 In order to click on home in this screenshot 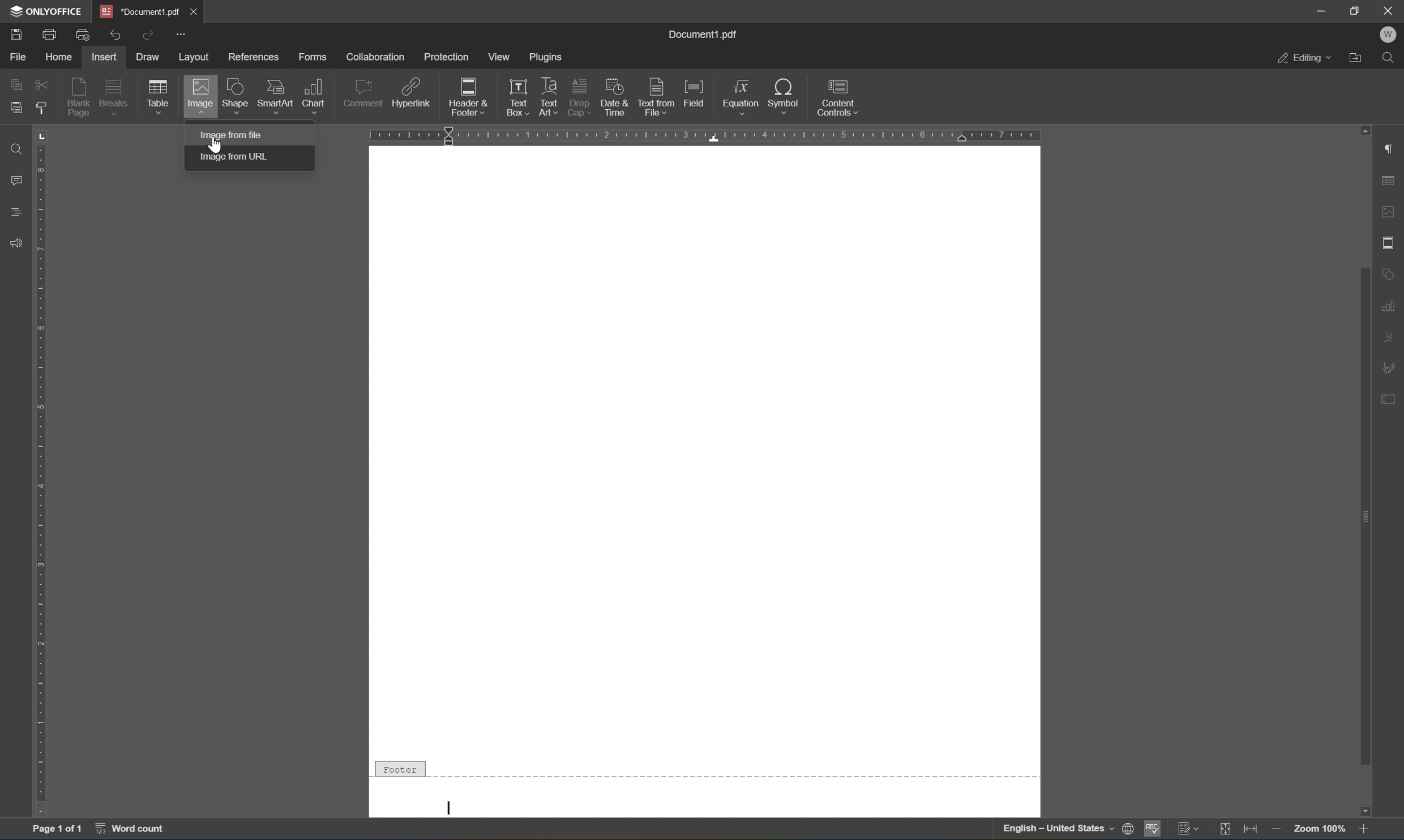, I will do `click(56, 58)`.